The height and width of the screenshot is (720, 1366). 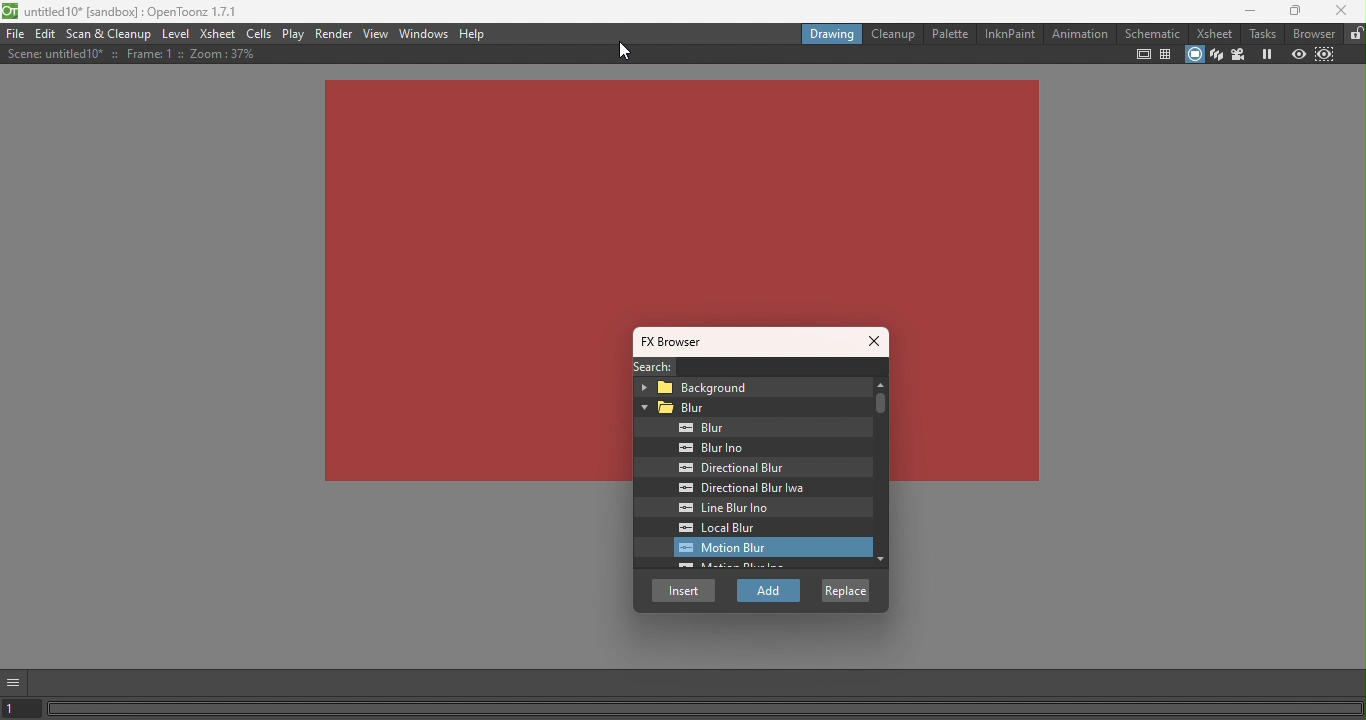 I want to click on Animation, so click(x=1078, y=34).